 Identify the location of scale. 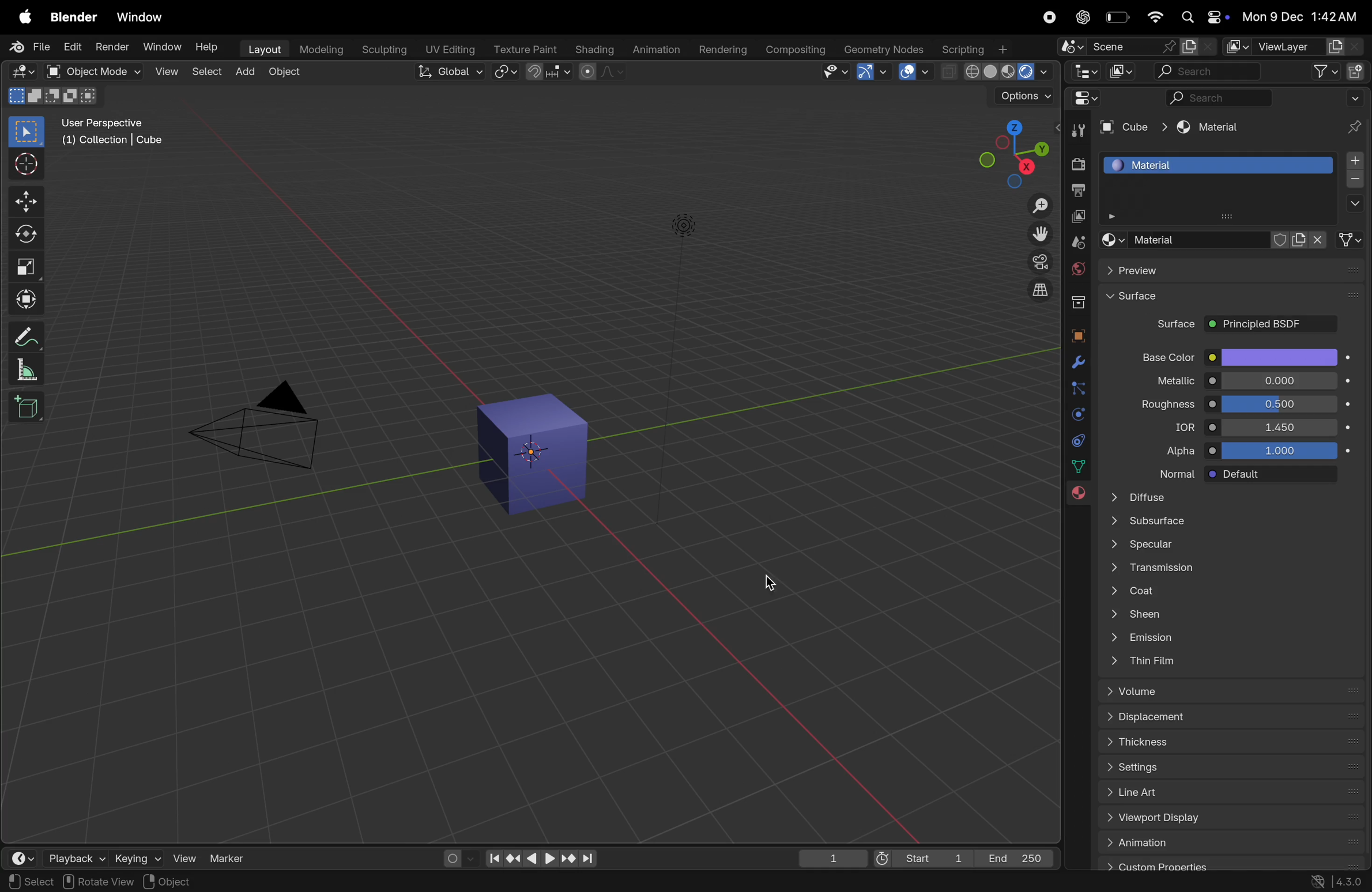
(25, 266).